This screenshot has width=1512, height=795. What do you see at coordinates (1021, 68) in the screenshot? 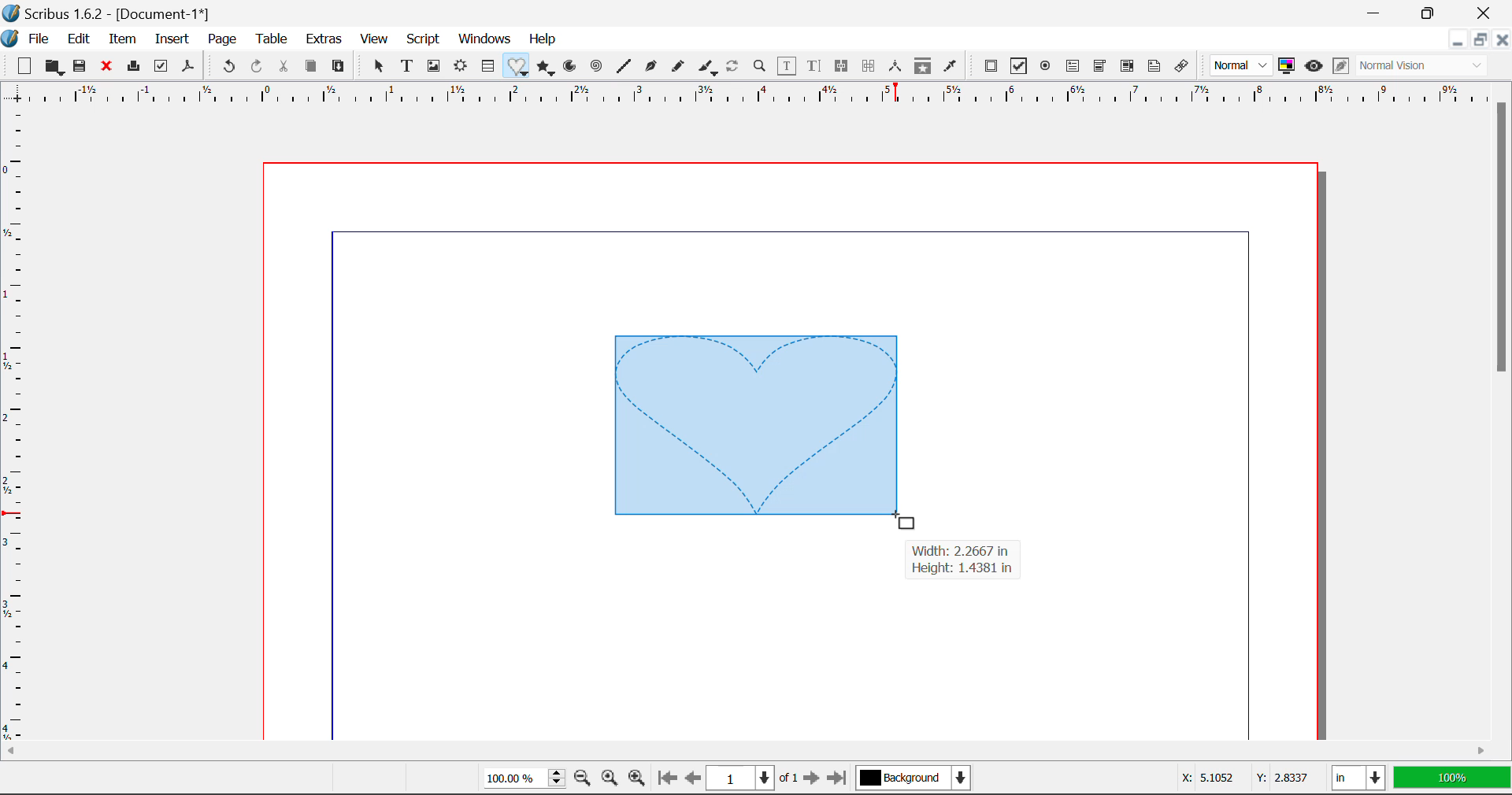
I see `Pdf Checkbox` at bounding box center [1021, 68].